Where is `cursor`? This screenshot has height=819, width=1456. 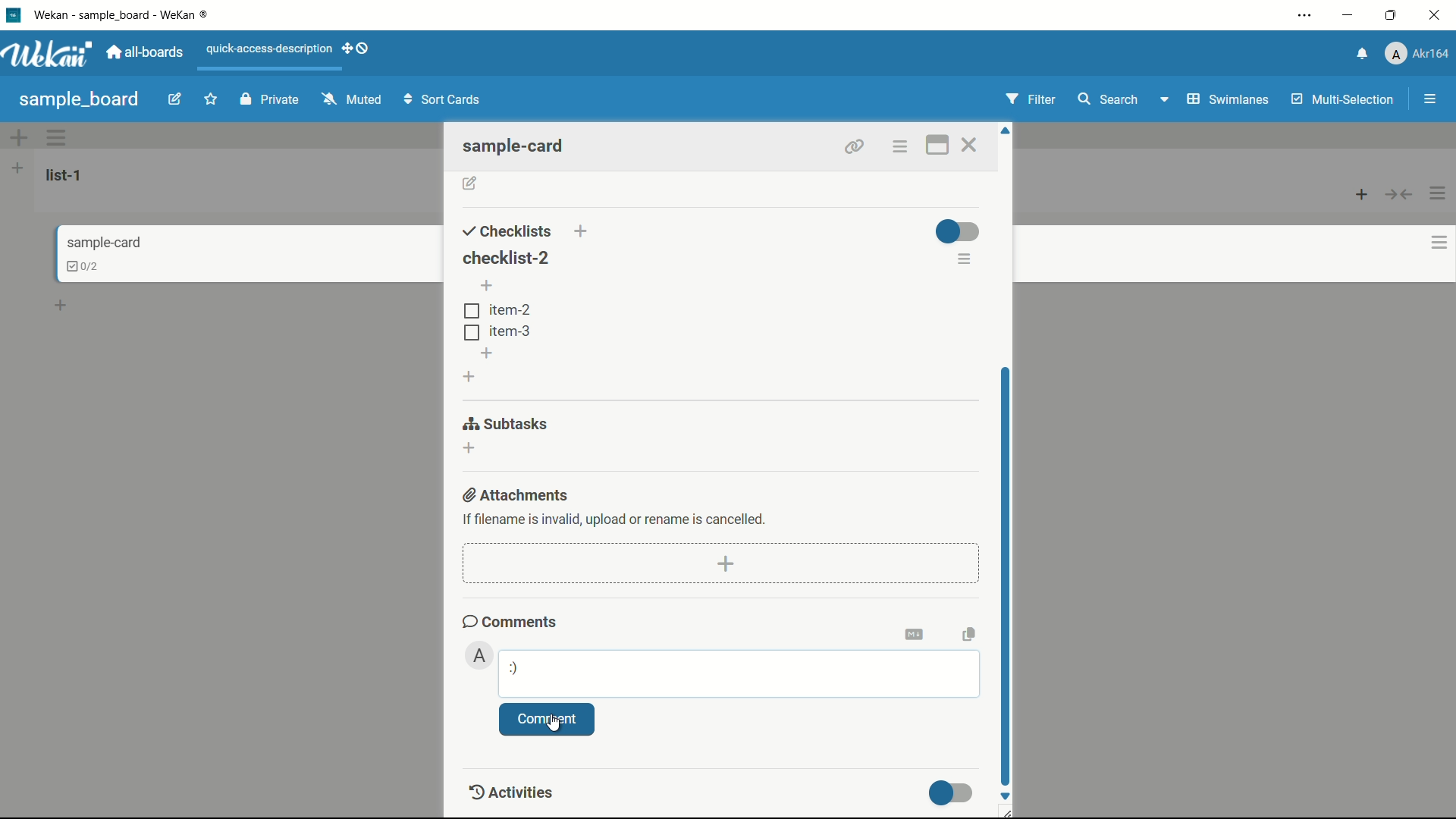 cursor is located at coordinates (553, 725).